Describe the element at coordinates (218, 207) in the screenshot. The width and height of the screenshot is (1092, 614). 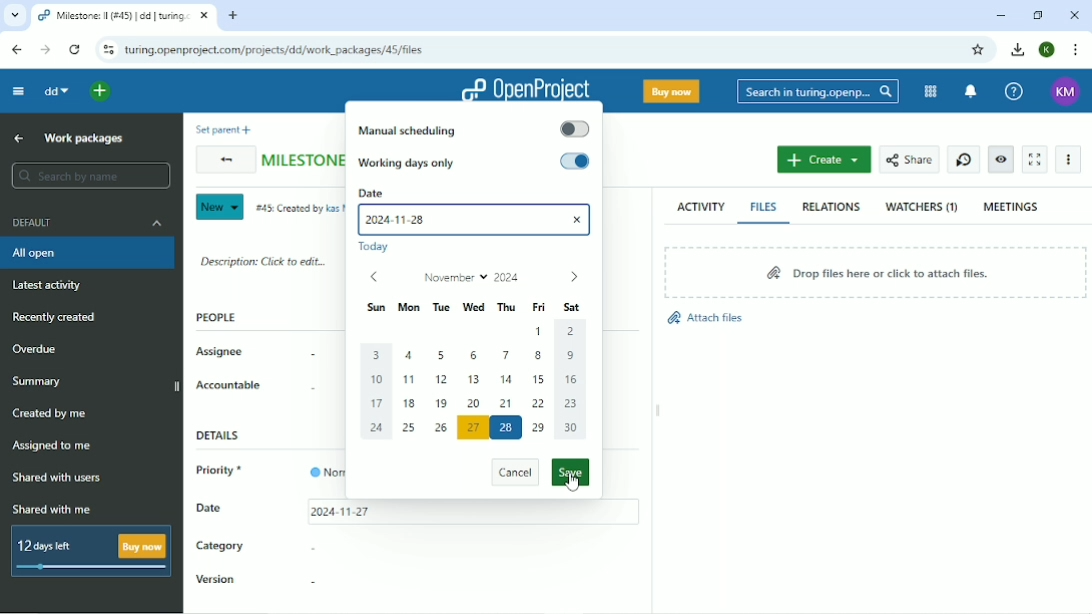
I see `New` at that location.